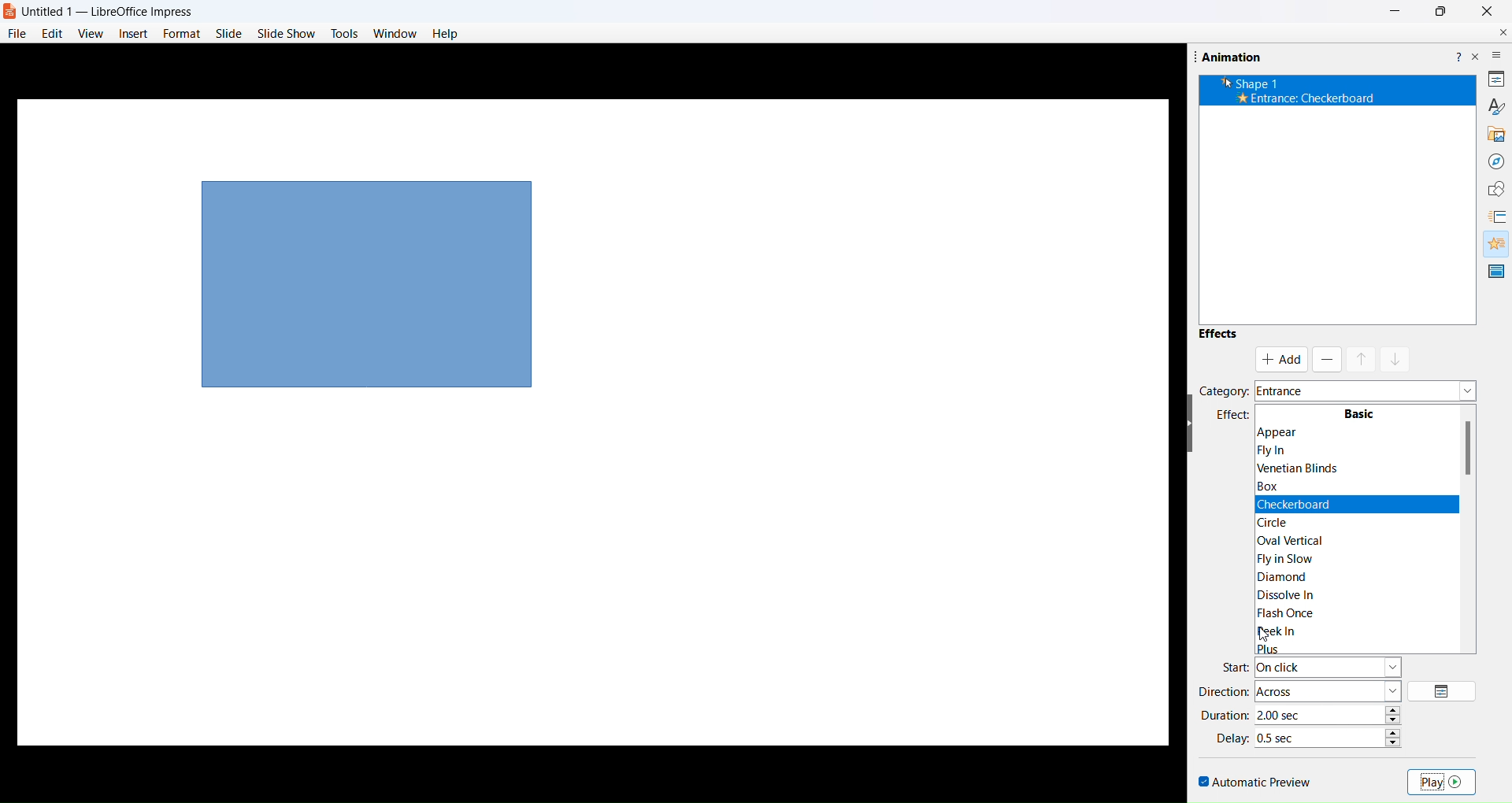 The width and height of the screenshot is (1512, 803). What do you see at coordinates (1292, 503) in the screenshot?
I see `checkerboard` at bounding box center [1292, 503].